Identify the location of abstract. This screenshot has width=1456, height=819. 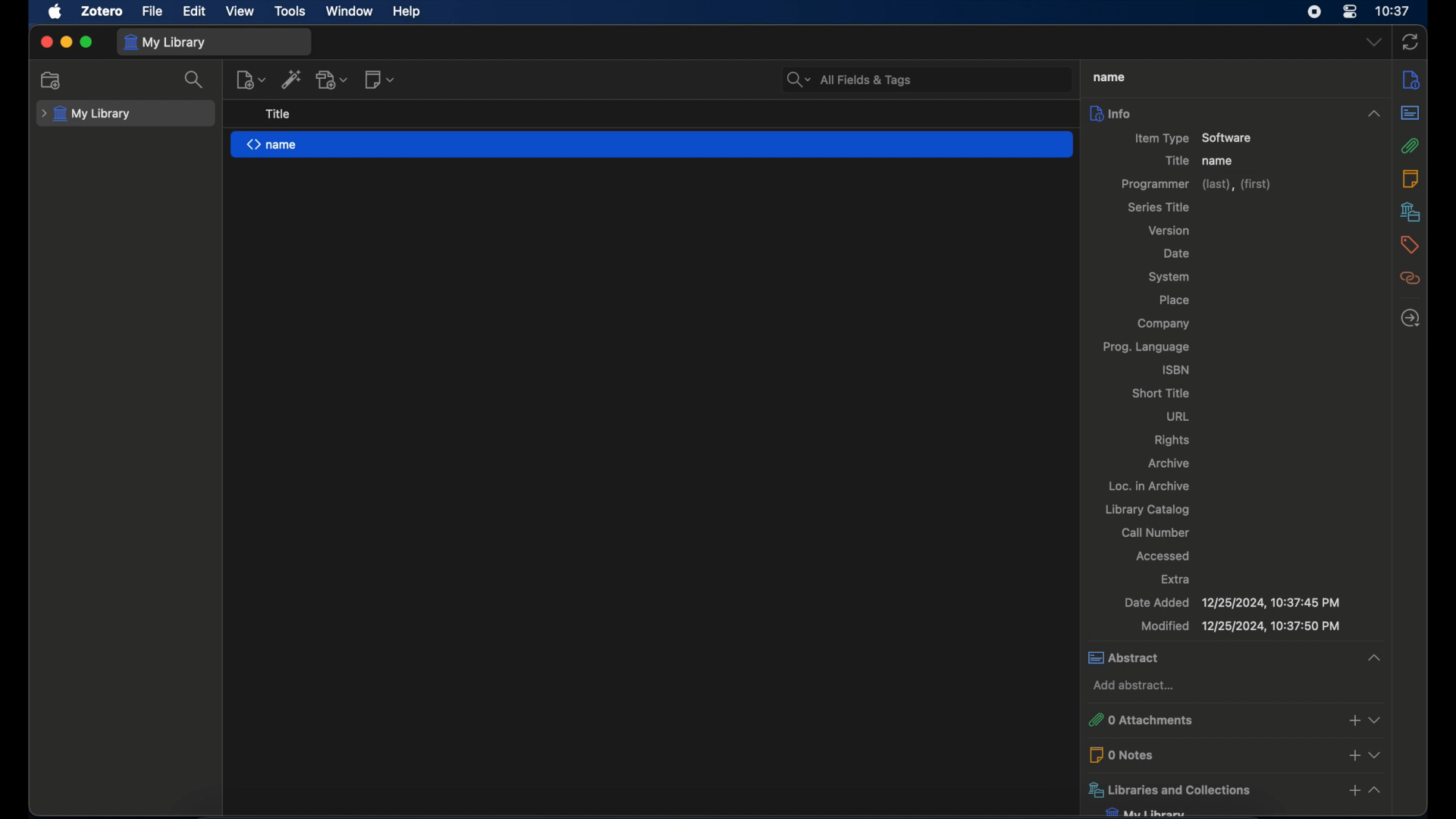
(1410, 114).